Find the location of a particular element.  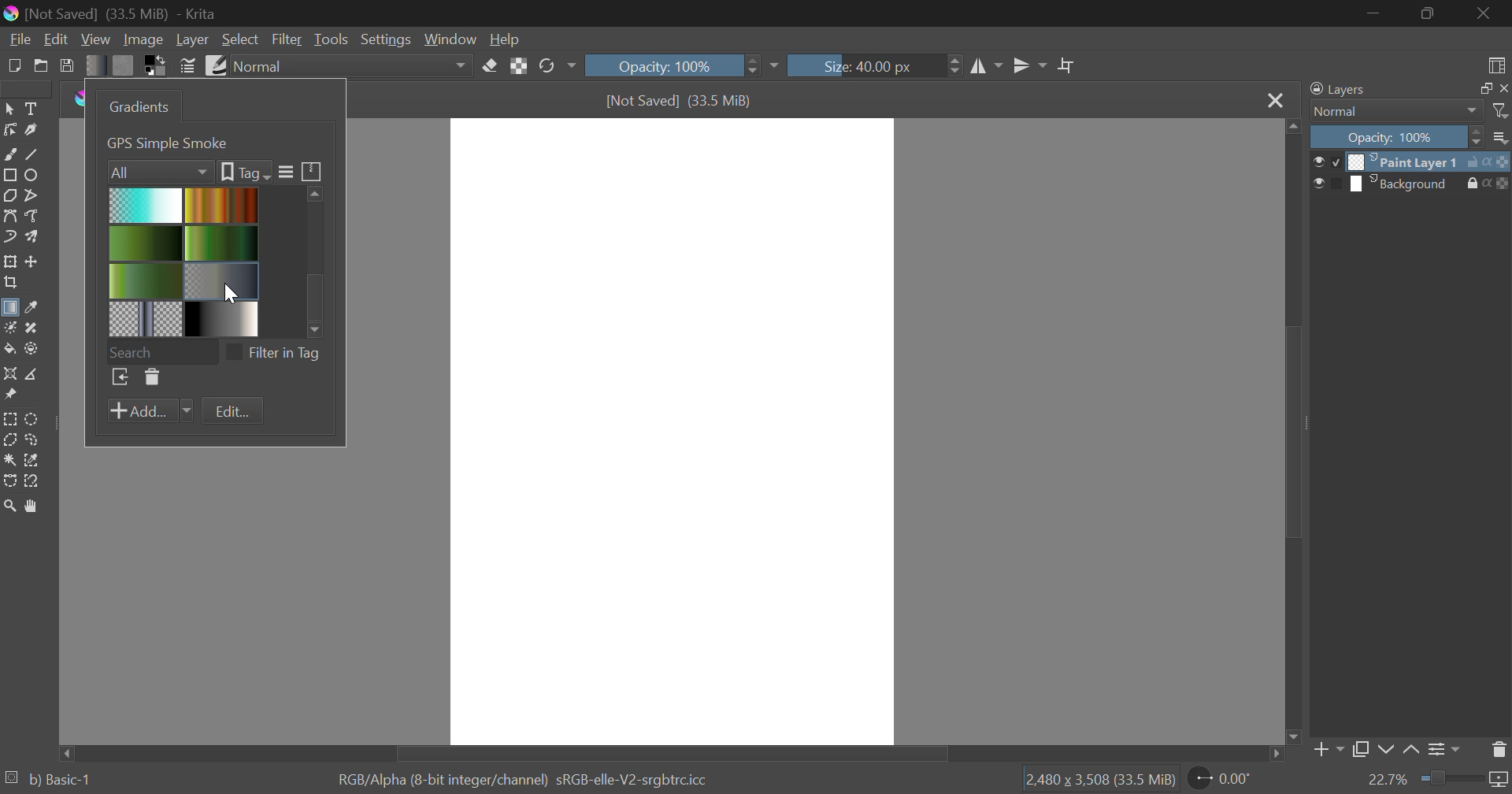

MOUSE_DOWN on Gradient Scroll Bar is located at coordinates (321, 258).